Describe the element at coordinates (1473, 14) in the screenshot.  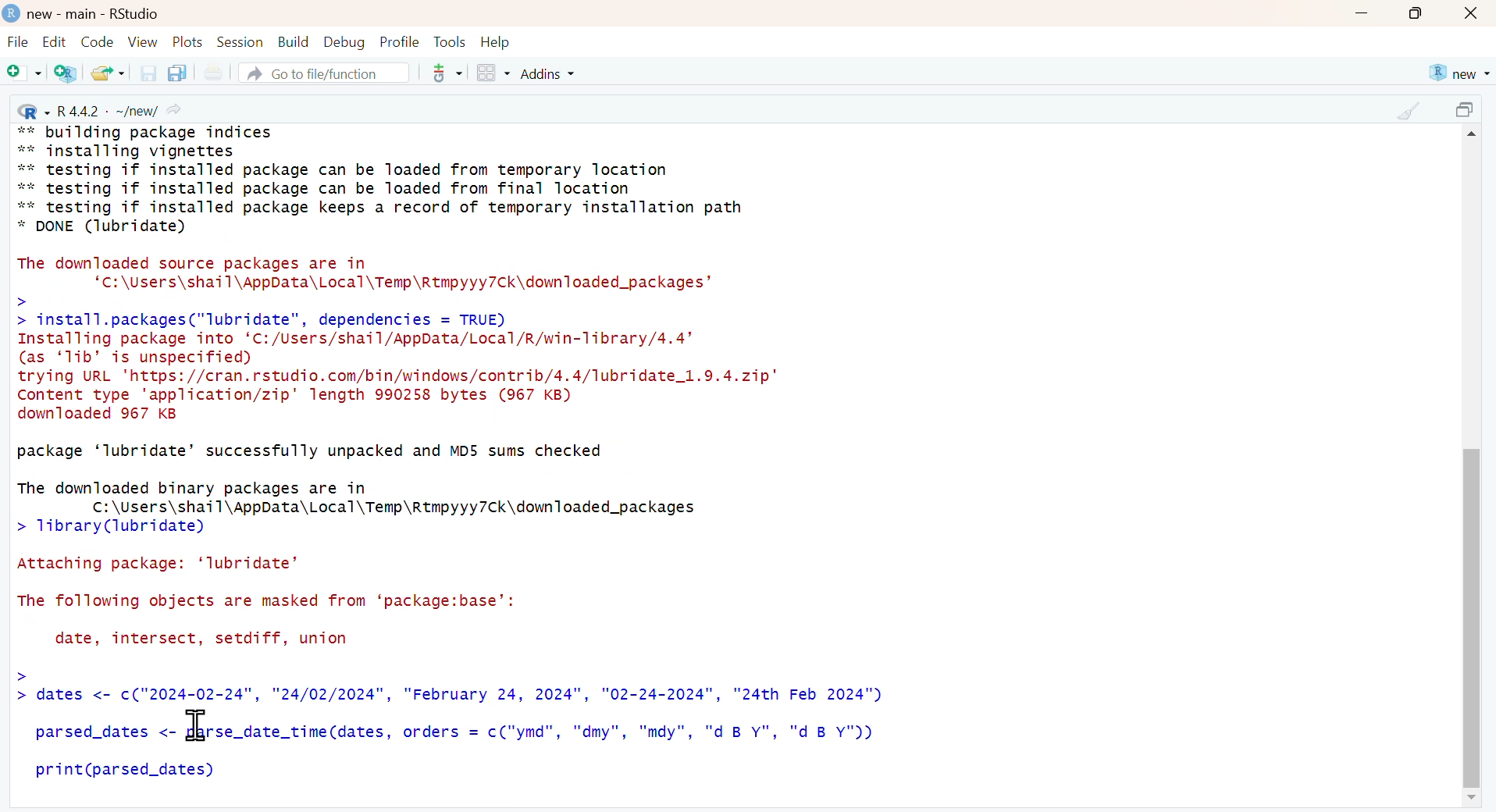
I see `close` at that location.